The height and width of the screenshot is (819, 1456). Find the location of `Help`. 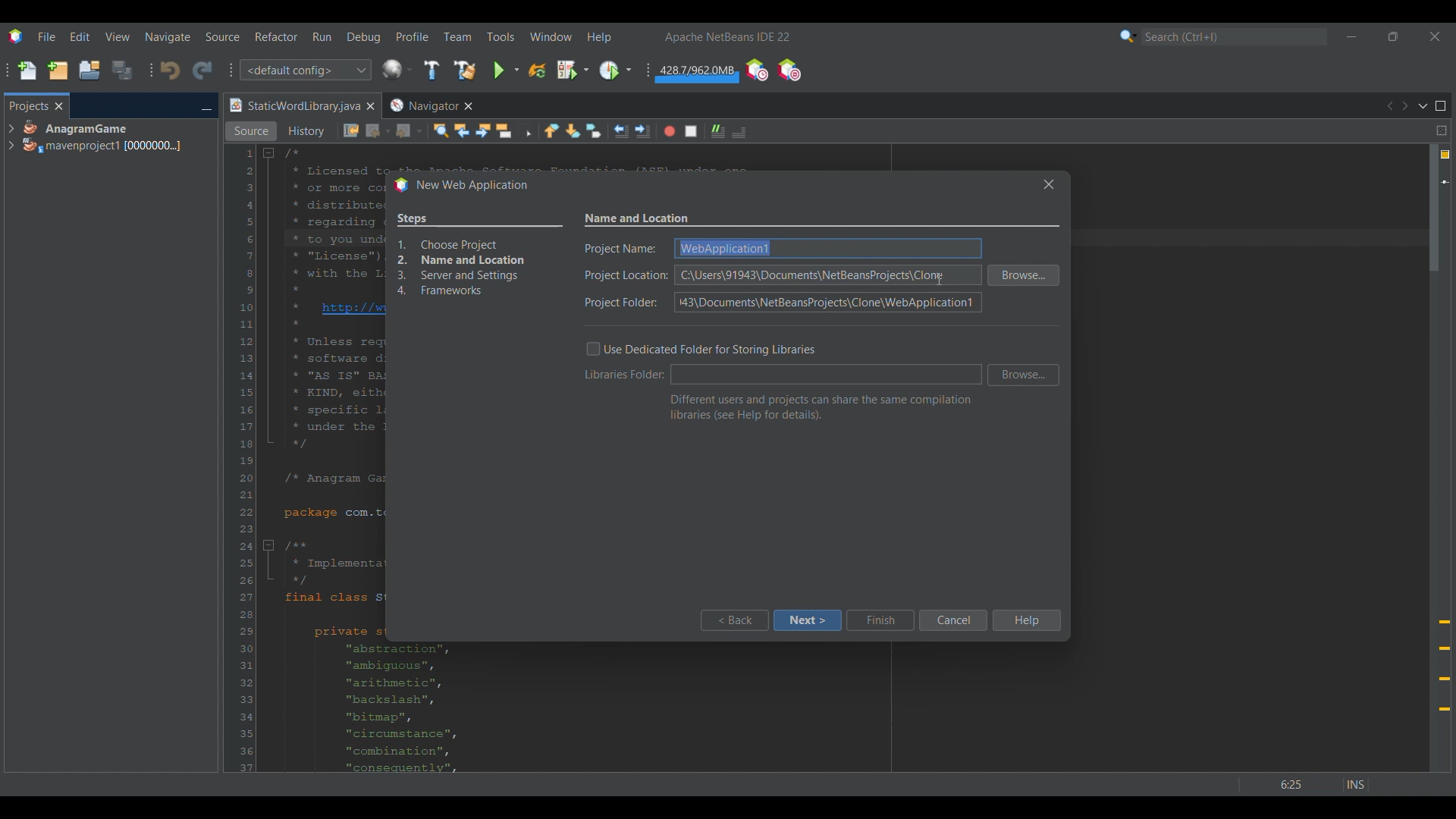

Help is located at coordinates (1025, 620).